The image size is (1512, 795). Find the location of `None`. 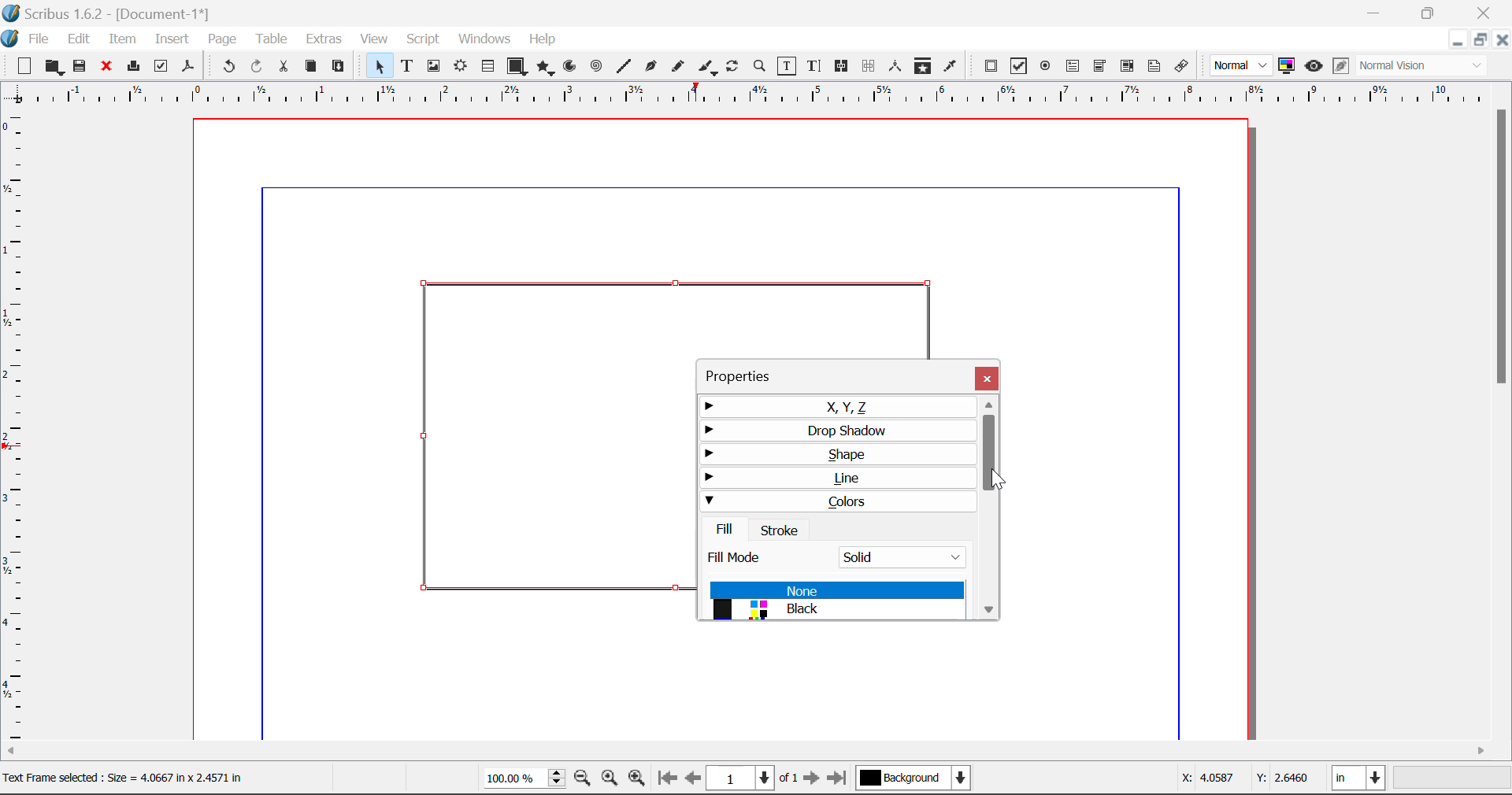

None is located at coordinates (837, 589).